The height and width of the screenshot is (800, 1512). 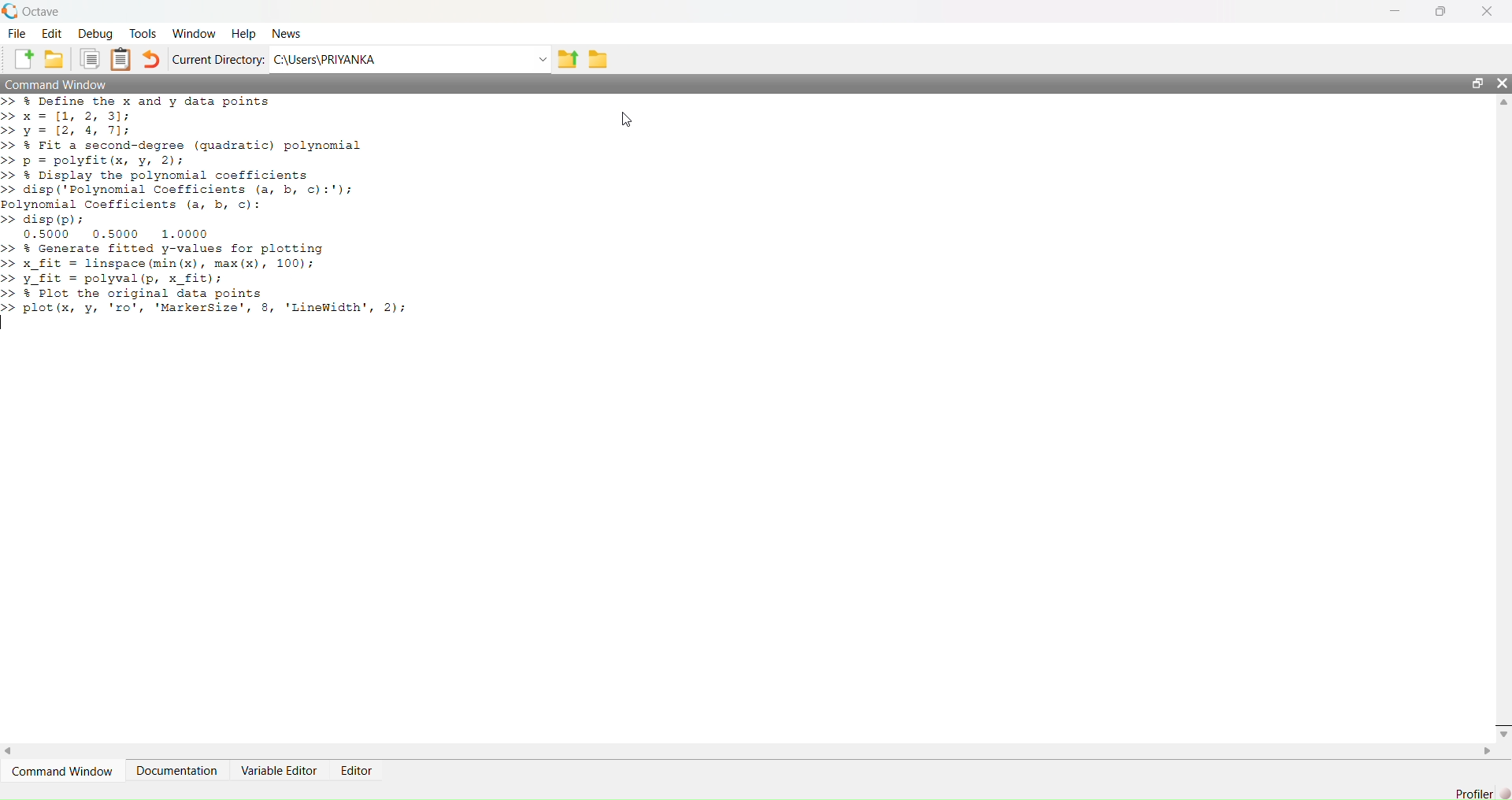 I want to click on Left, so click(x=14, y=750).